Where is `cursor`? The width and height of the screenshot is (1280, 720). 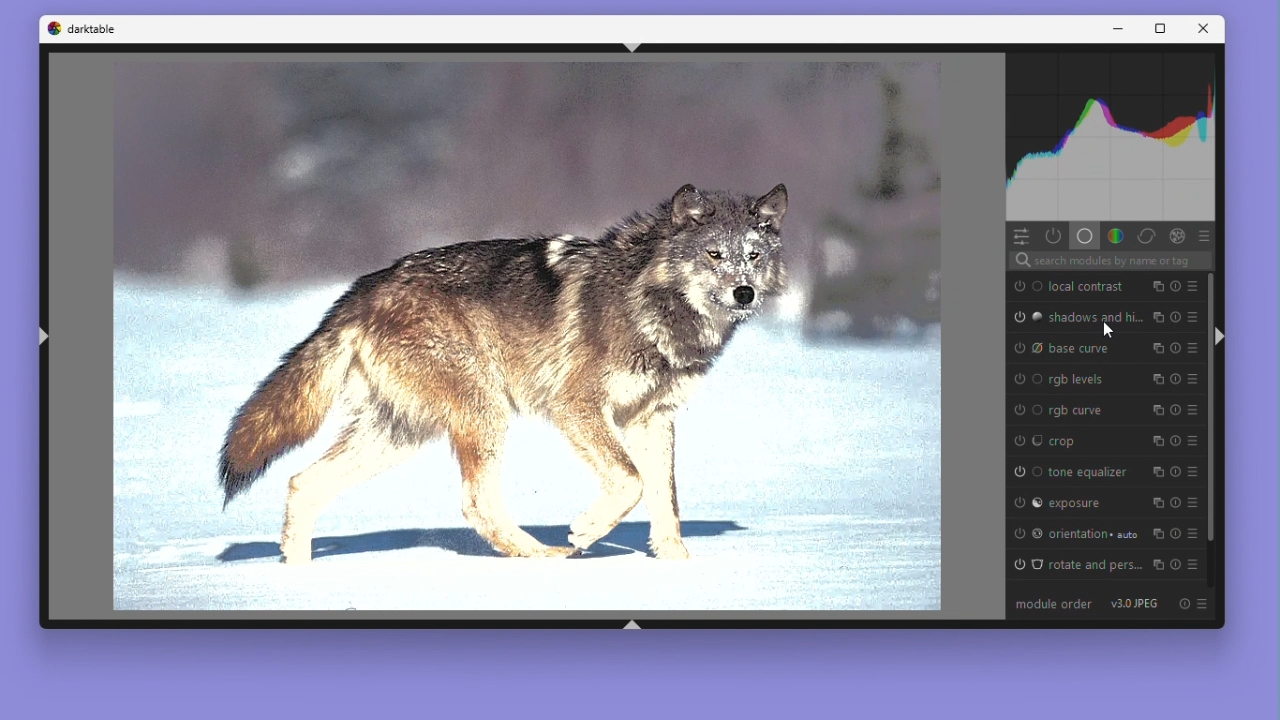
cursor is located at coordinates (1108, 332).